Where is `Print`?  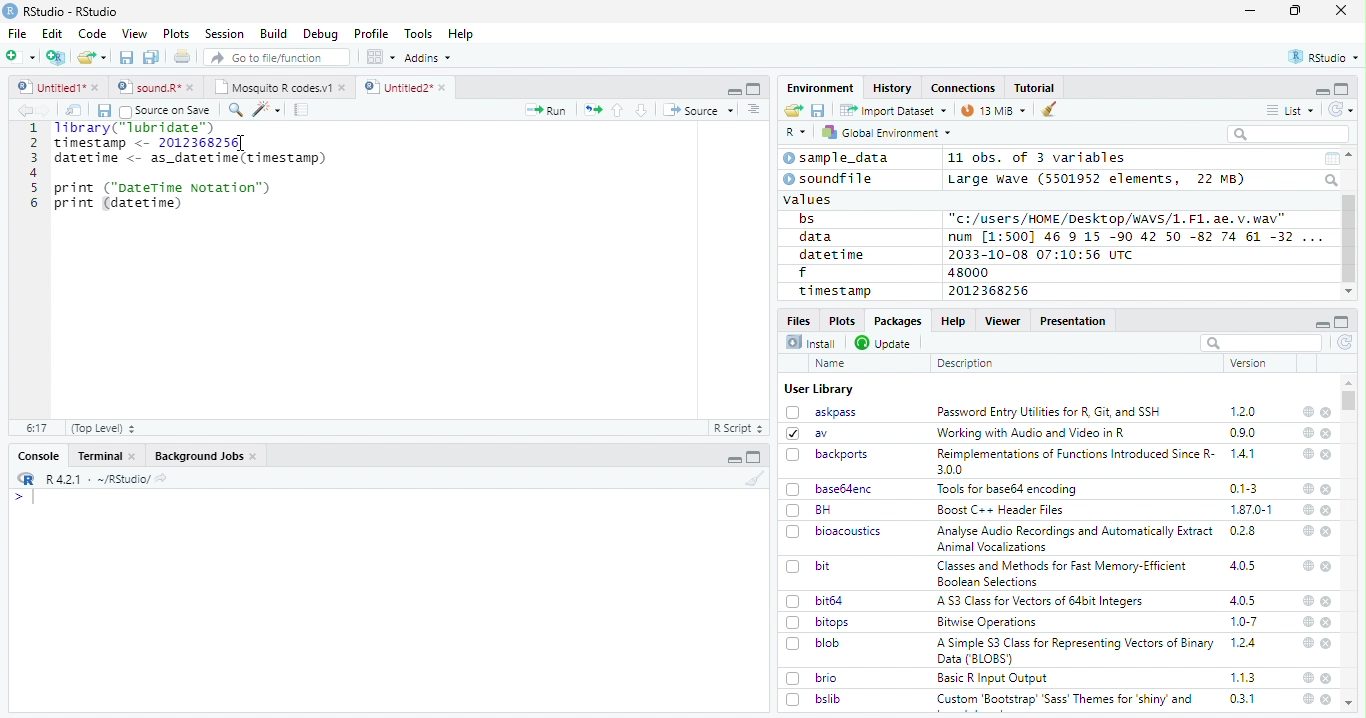
Print is located at coordinates (183, 56).